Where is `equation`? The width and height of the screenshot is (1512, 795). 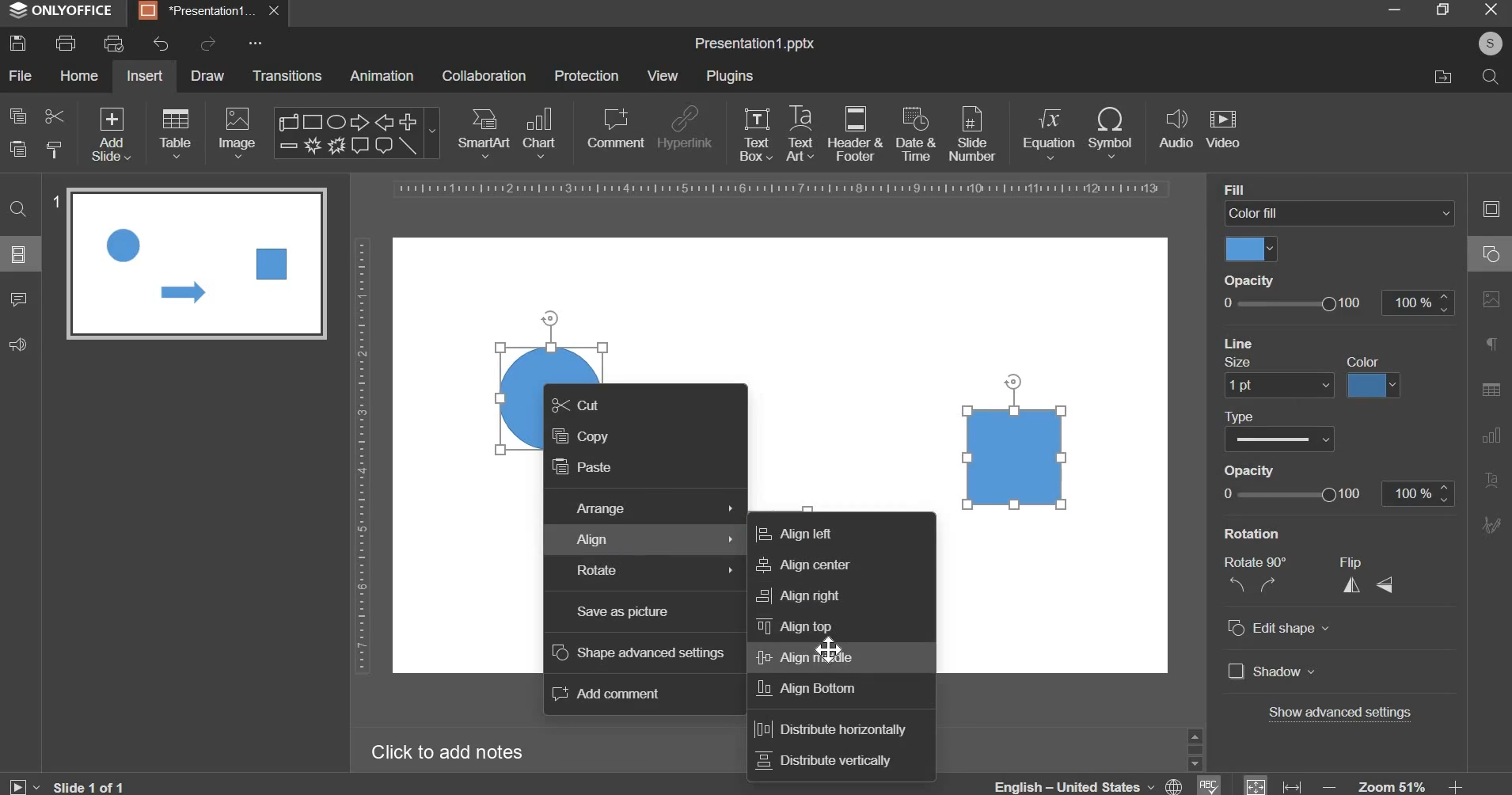 equation is located at coordinates (1048, 131).